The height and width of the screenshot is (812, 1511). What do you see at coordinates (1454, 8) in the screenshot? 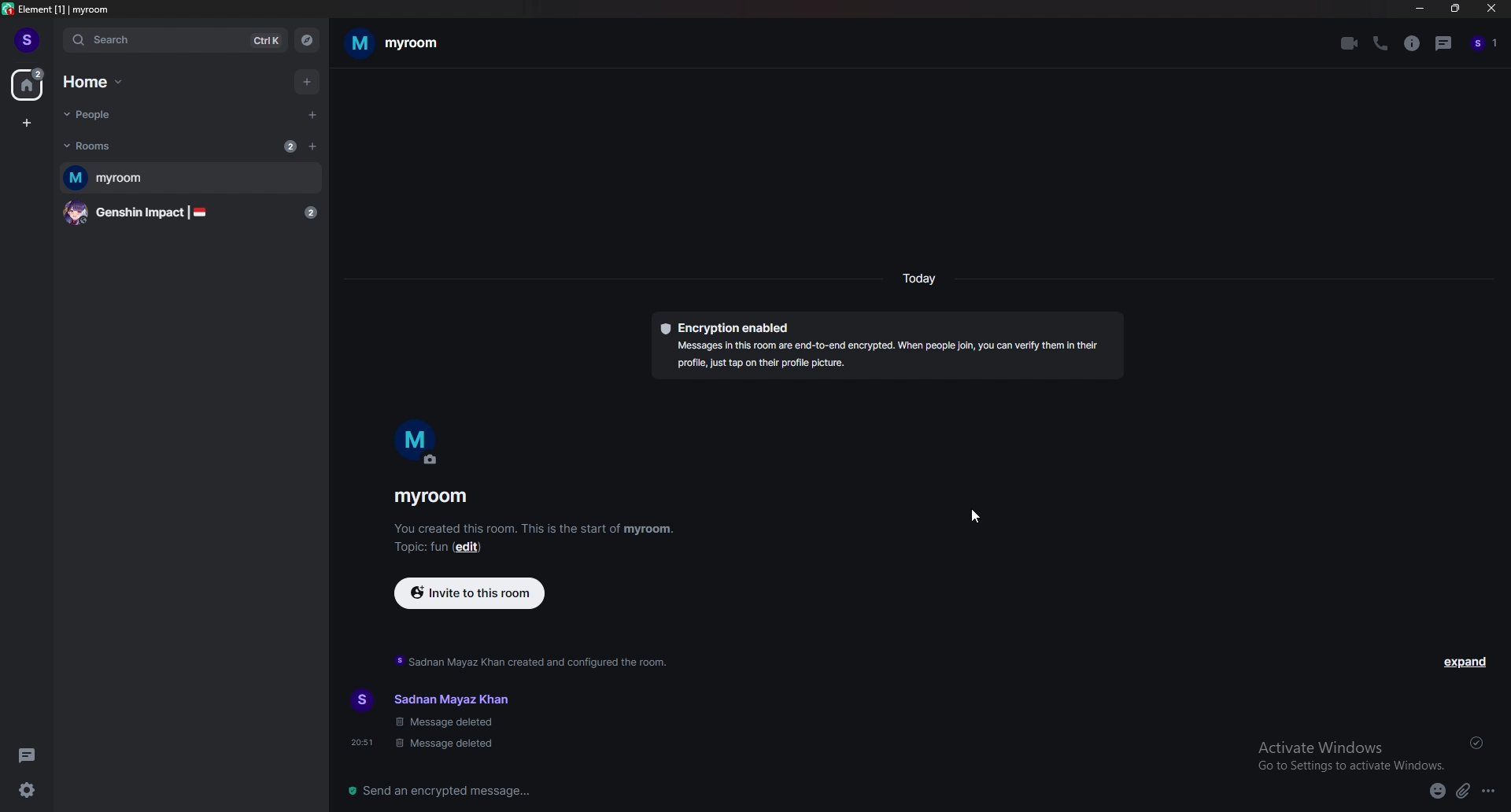
I see `resize` at bounding box center [1454, 8].